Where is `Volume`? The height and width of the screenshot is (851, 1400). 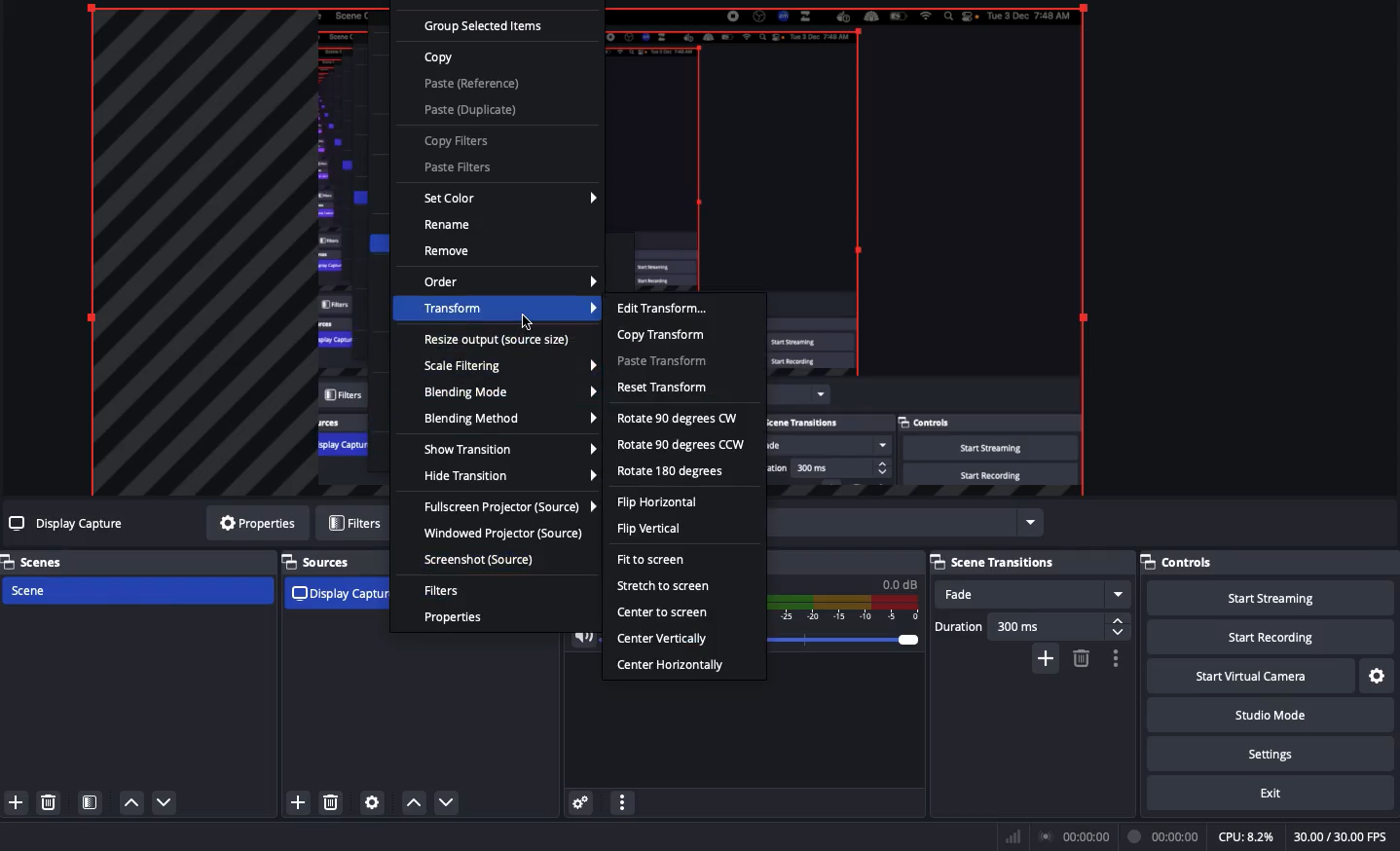 Volume is located at coordinates (591, 637).